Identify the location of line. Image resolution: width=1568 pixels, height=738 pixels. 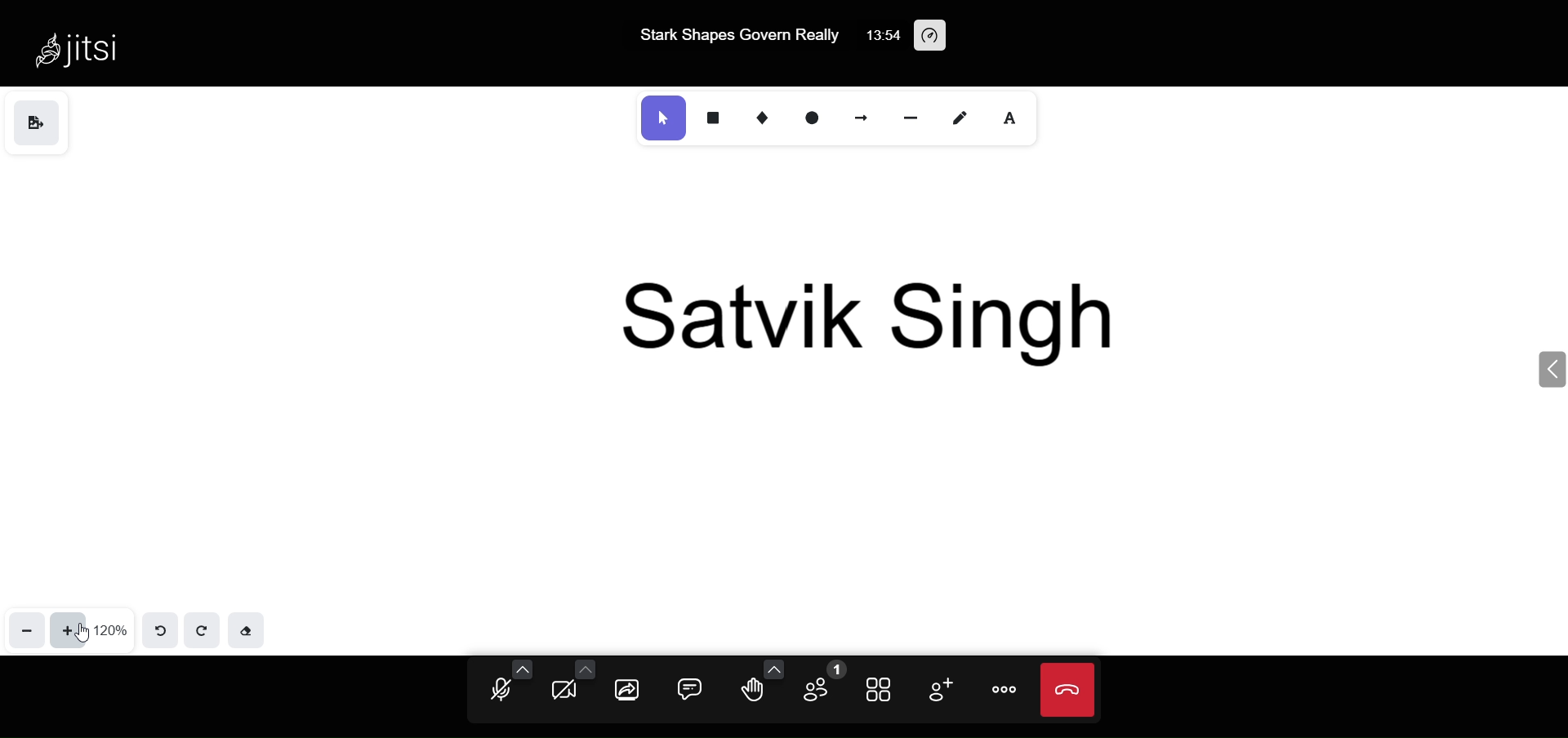
(910, 118).